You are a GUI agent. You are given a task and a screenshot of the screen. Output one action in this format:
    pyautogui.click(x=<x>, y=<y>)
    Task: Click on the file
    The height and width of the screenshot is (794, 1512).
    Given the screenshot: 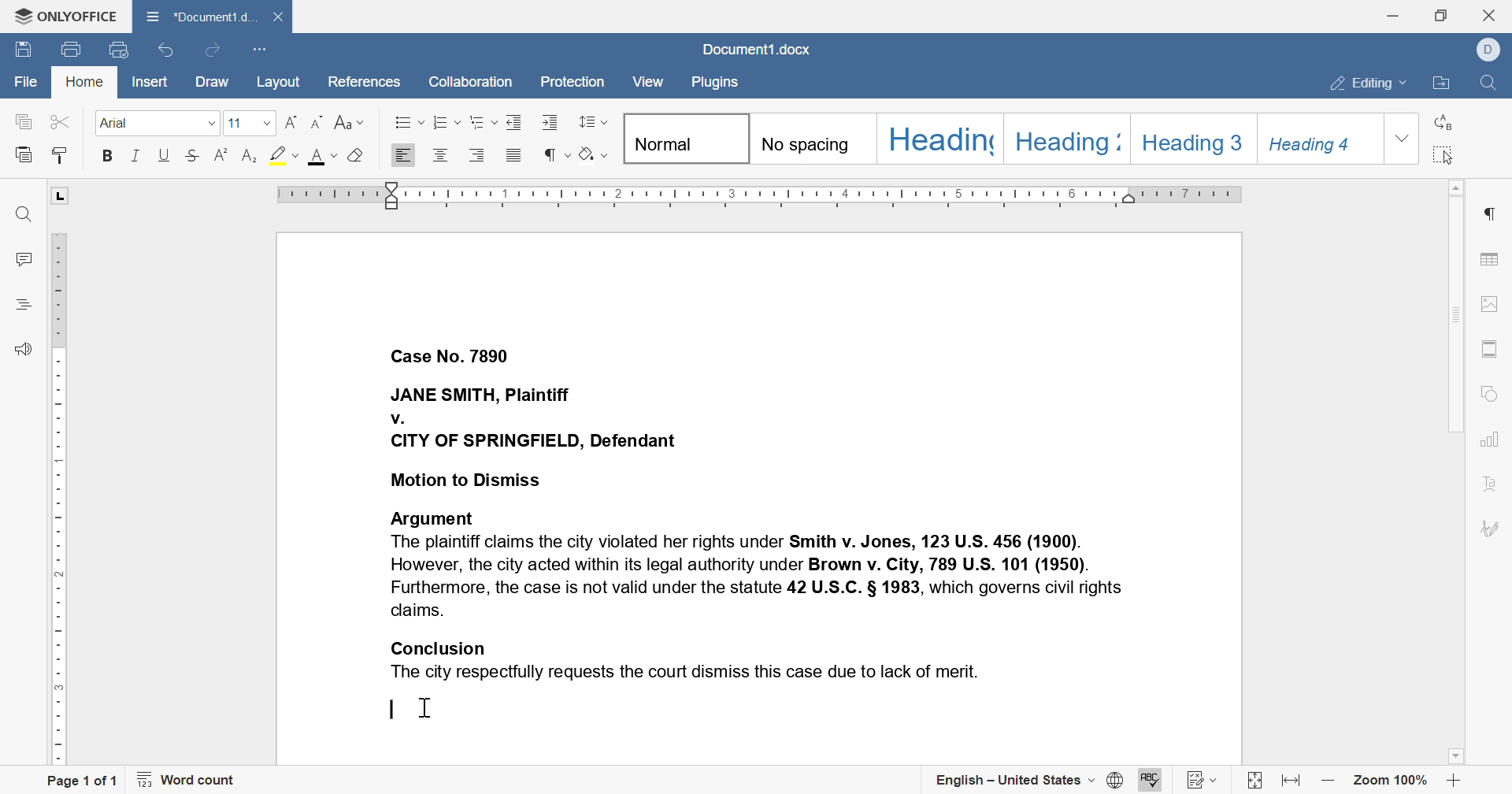 What is the action you would take?
    pyautogui.click(x=23, y=79)
    